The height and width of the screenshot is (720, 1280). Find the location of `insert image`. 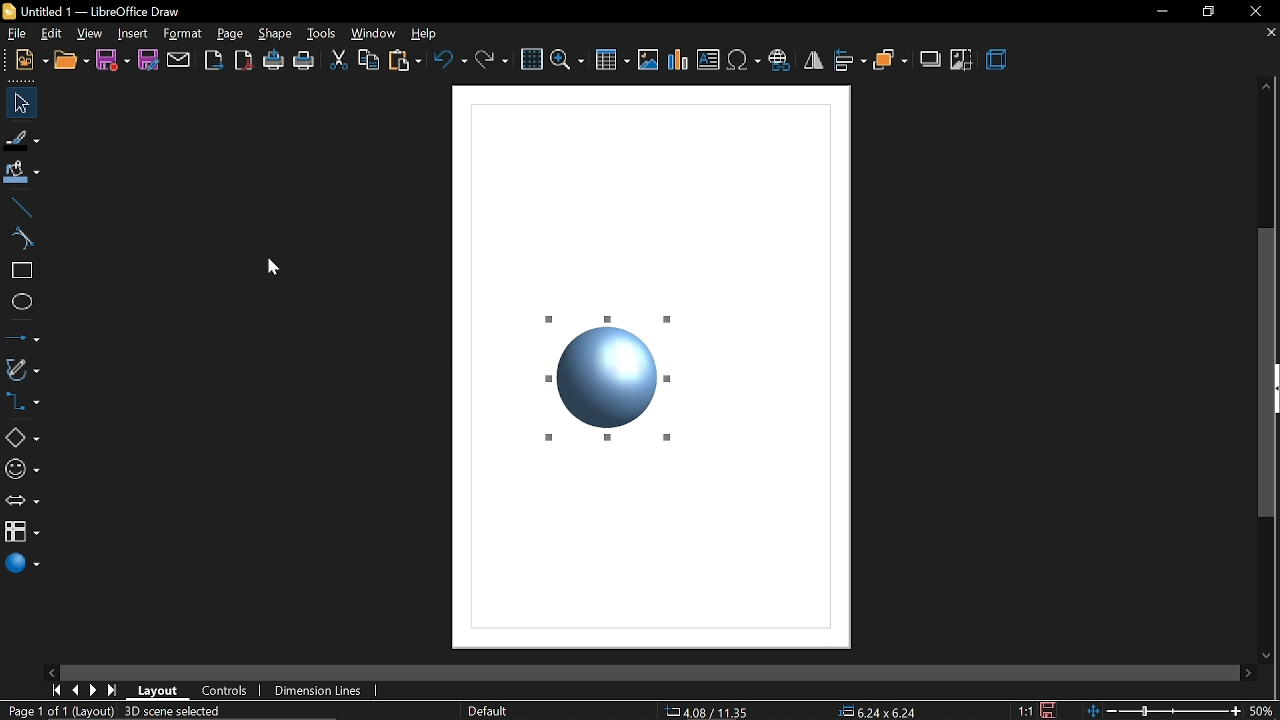

insert image is located at coordinates (648, 59).